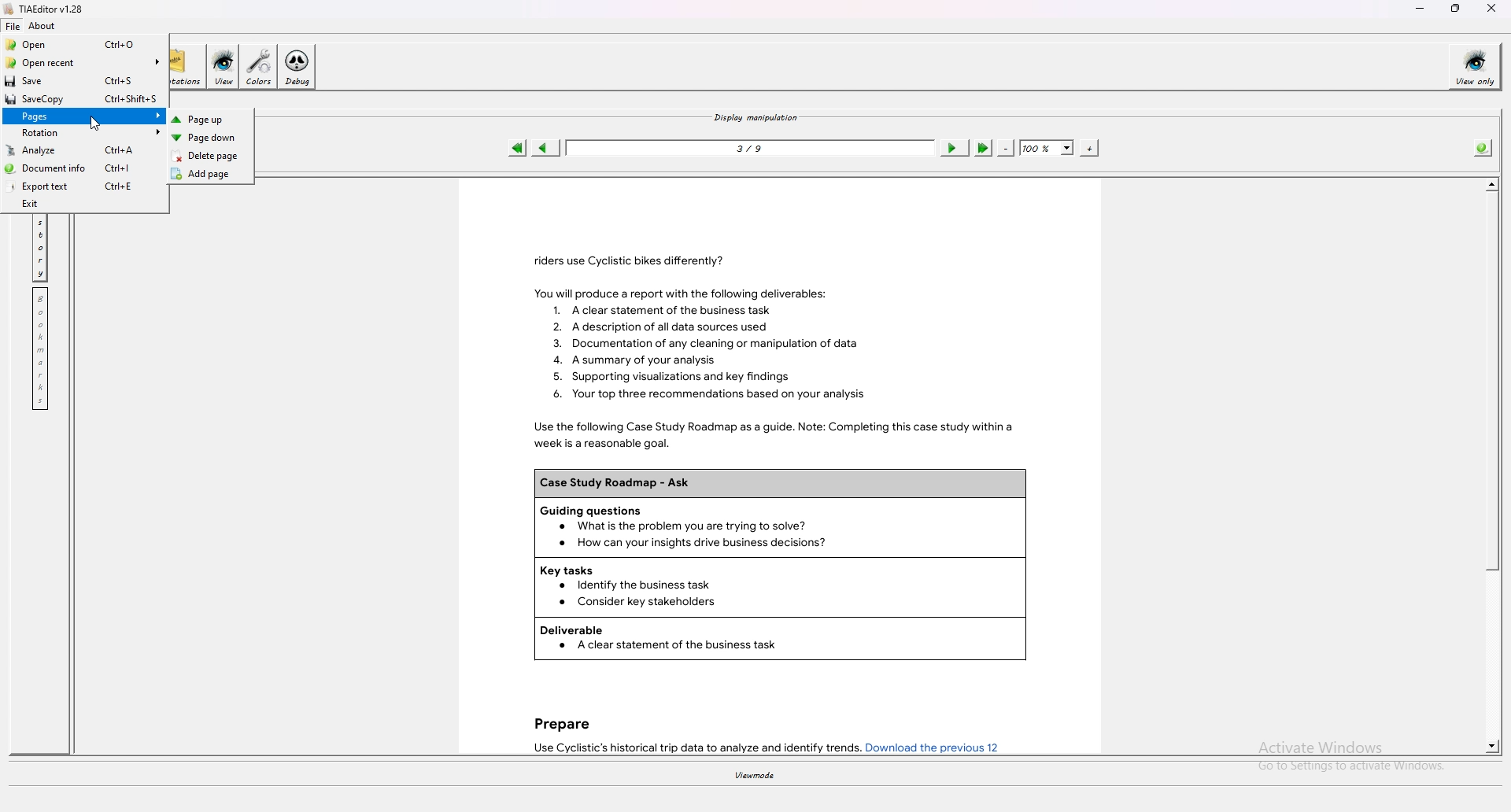  Describe the element at coordinates (983, 148) in the screenshot. I see `last page` at that location.